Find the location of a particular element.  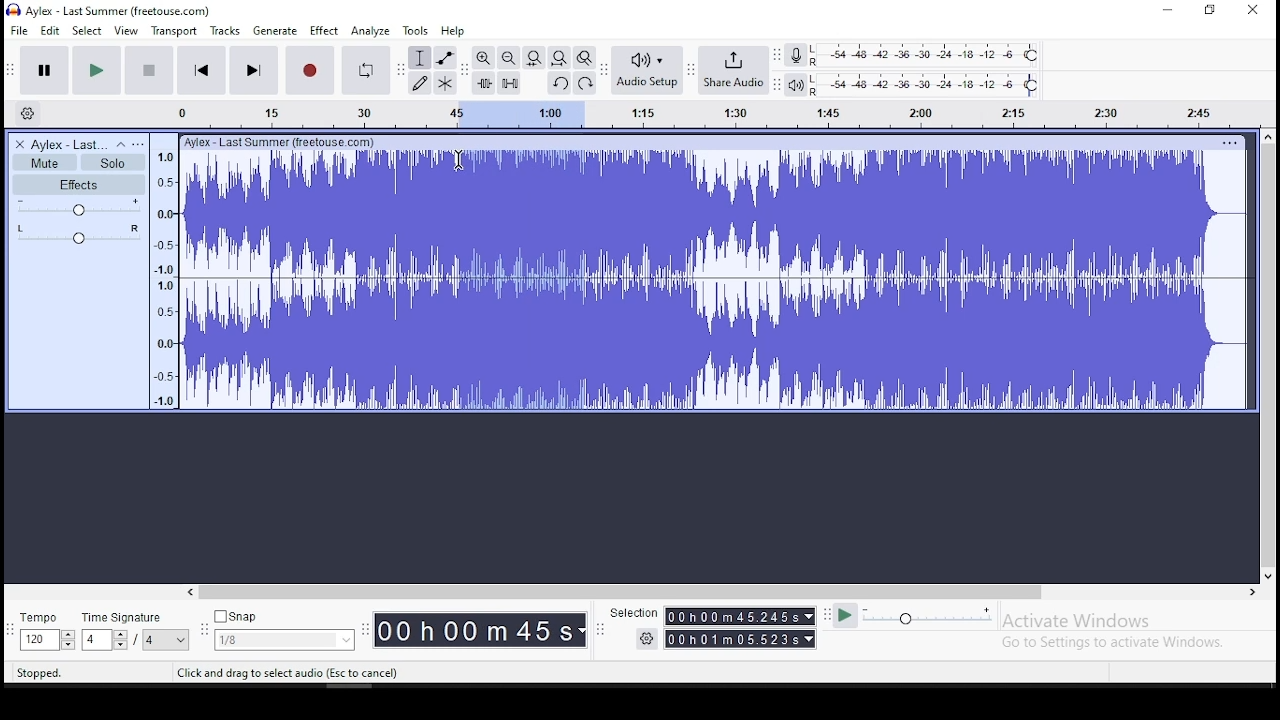

timeline settings is located at coordinates (28, 112).